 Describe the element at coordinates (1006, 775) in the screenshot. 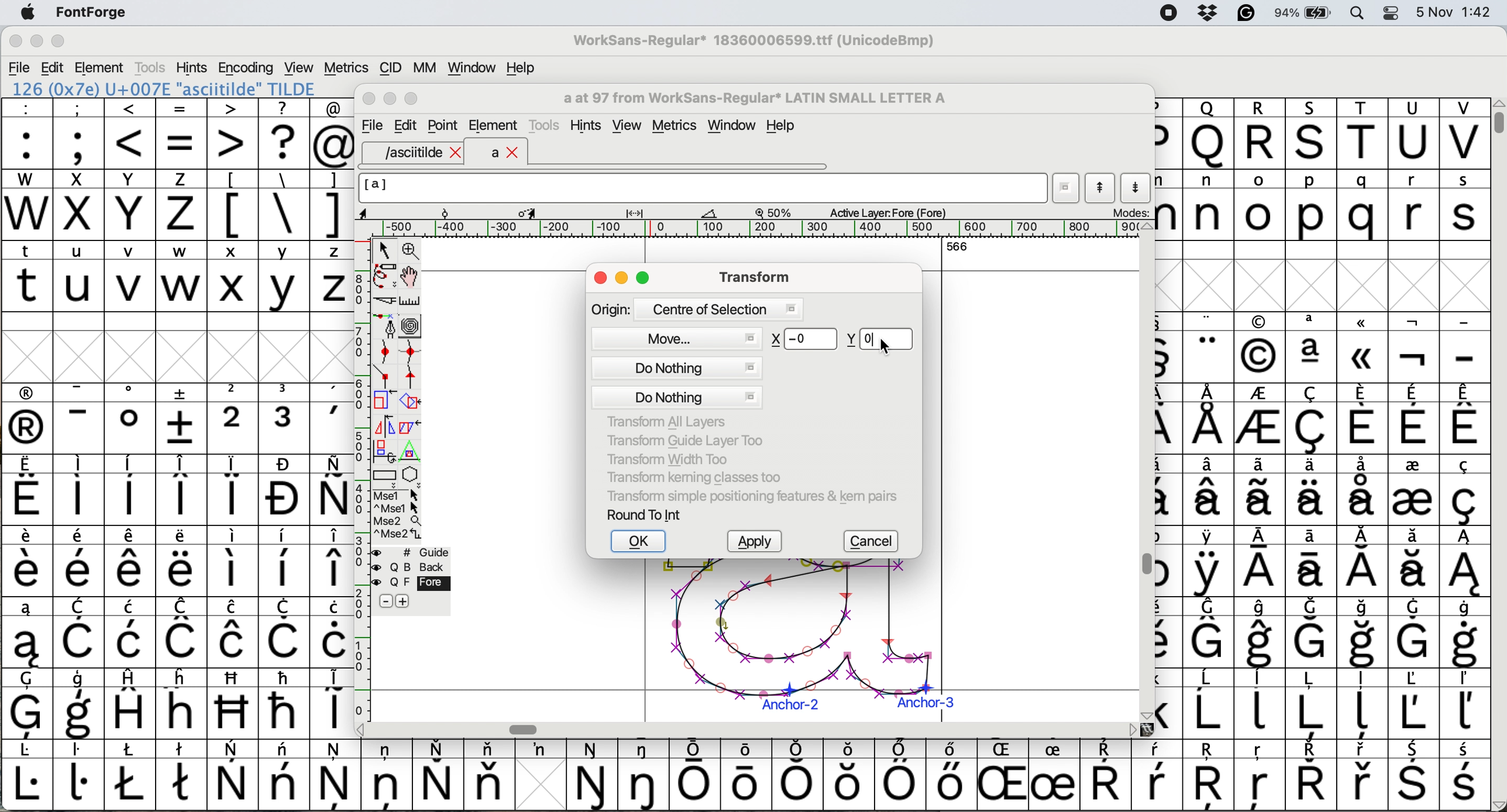

I see `` at that location.